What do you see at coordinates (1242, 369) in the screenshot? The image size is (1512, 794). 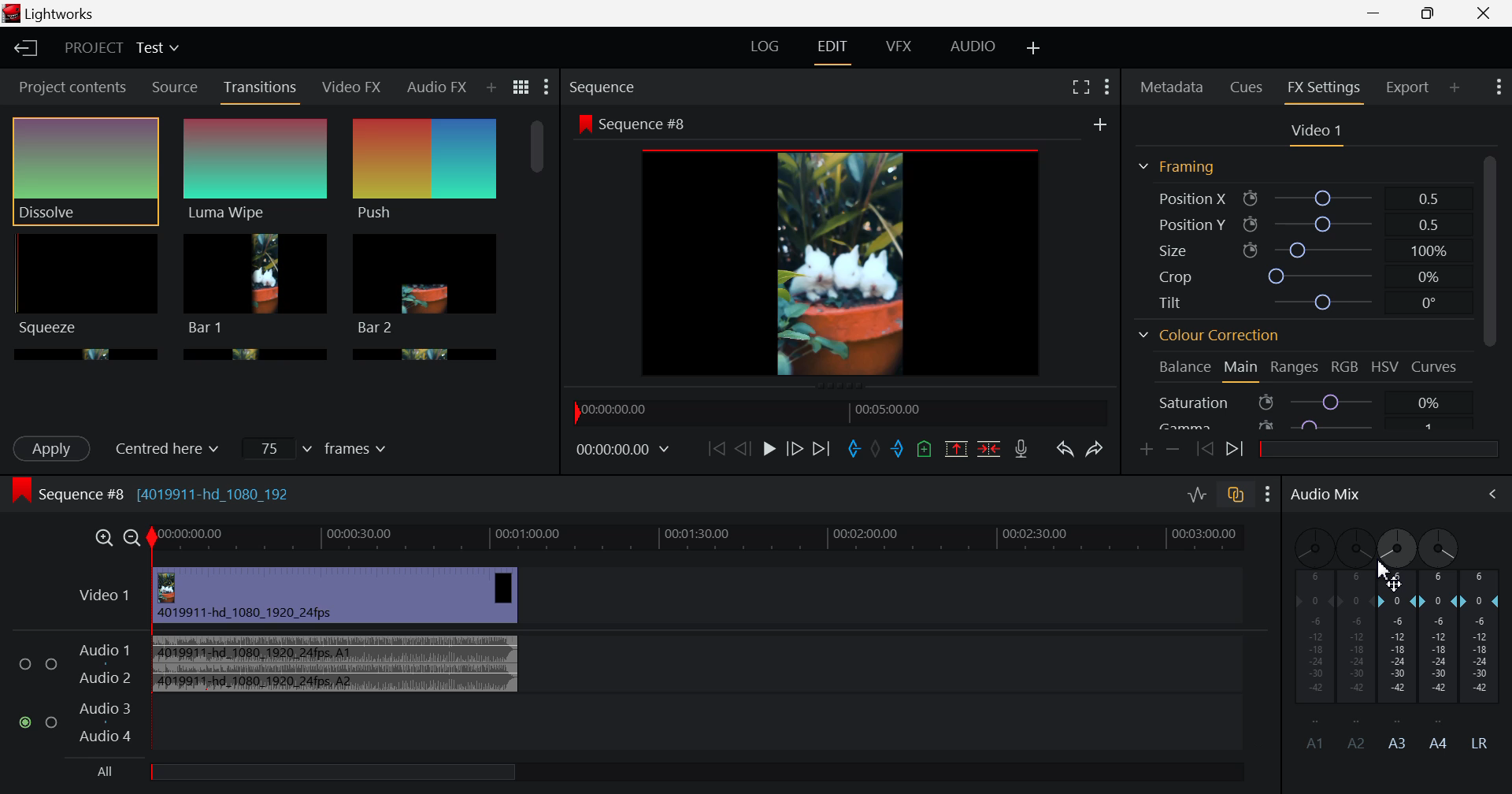 I see `Main Tab Open` at bounding box center [1242, 369].